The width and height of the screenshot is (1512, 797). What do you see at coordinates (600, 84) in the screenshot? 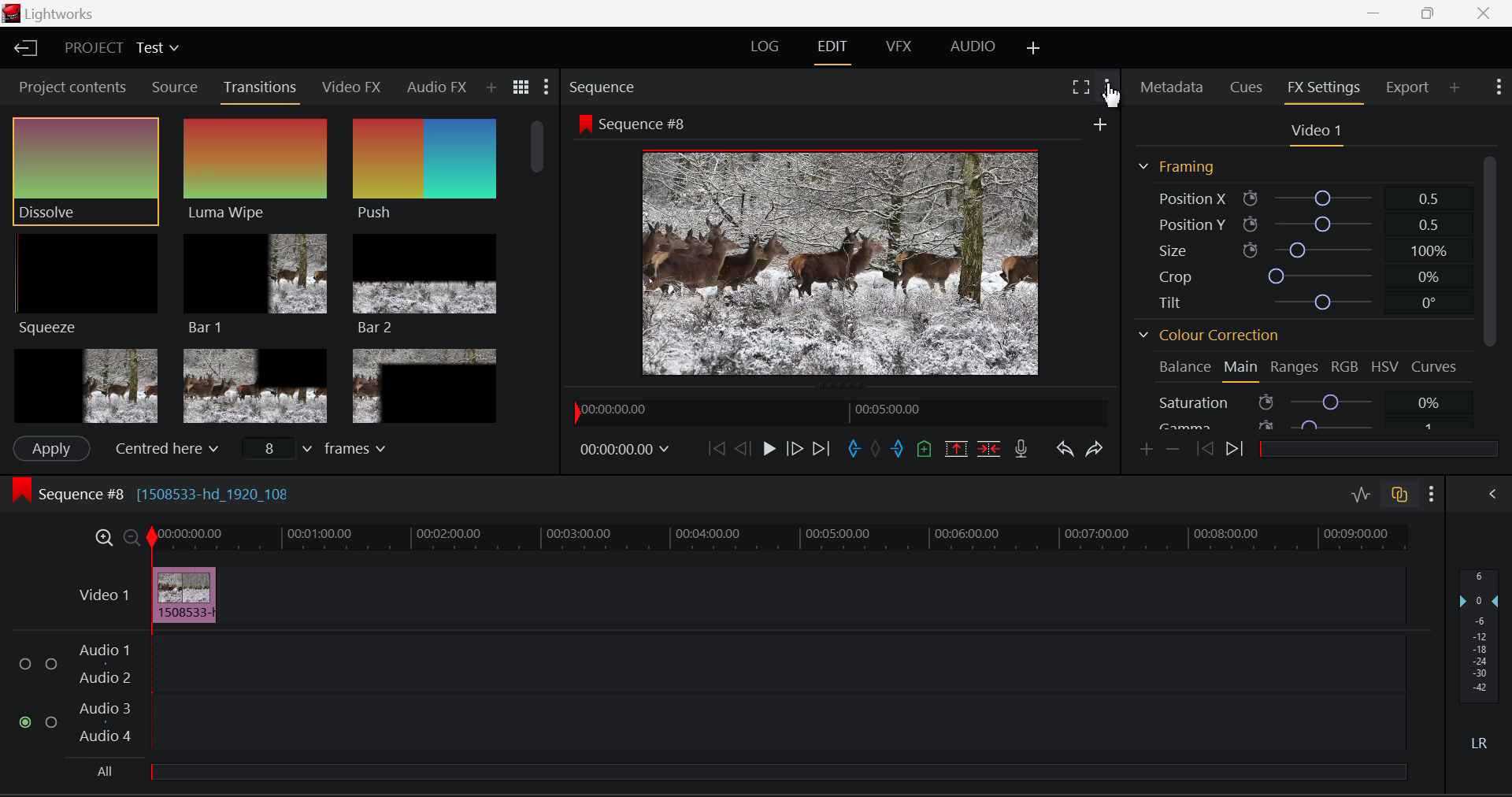
I see `Sequence Preview Section` at bounding box center [600, 84].